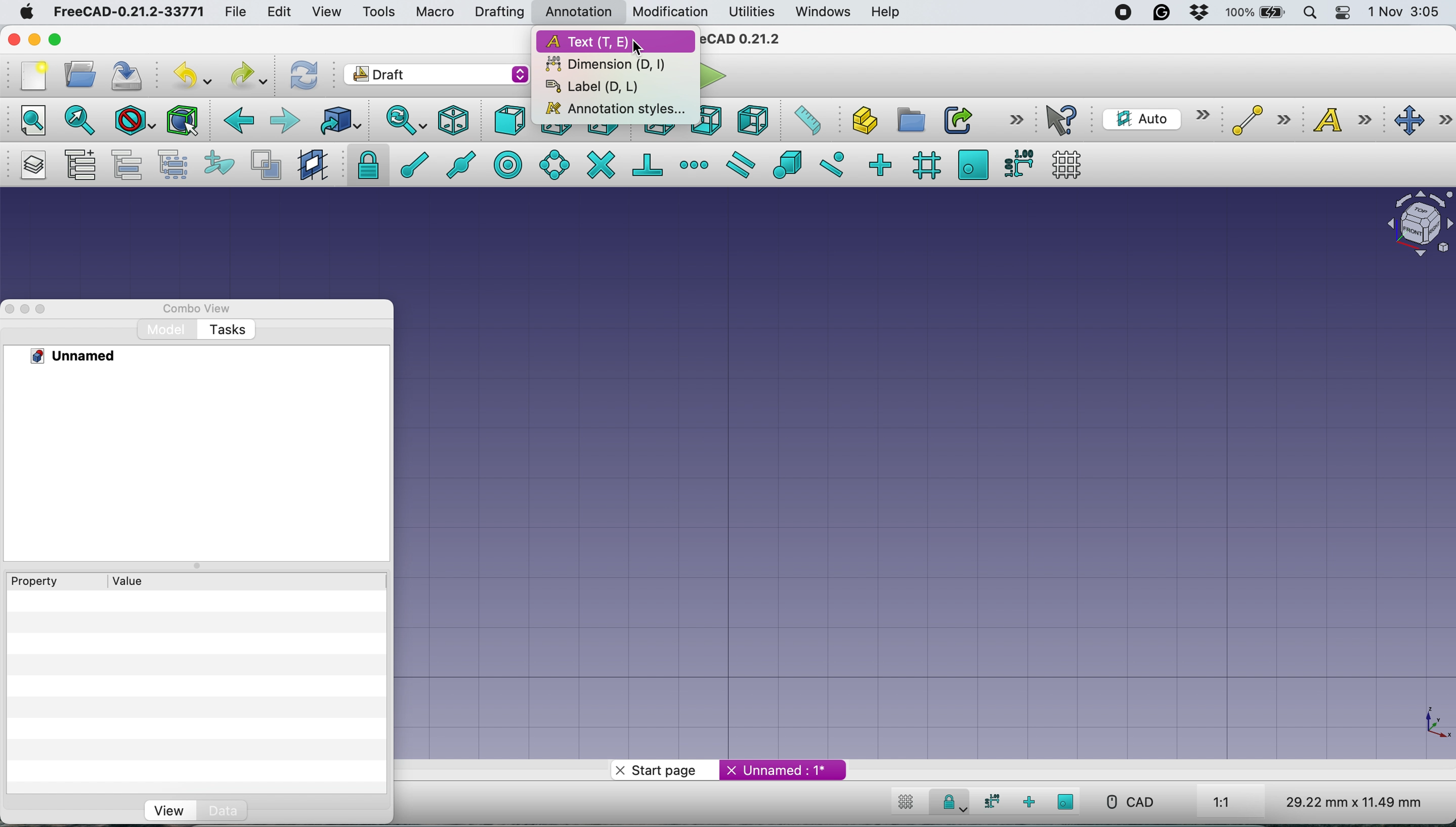 Image resolution: width=1456 pixels, height=827 pixels. Describe the element at coordinates (363, 165) in the screenshot. I see `snap lock` at that location.